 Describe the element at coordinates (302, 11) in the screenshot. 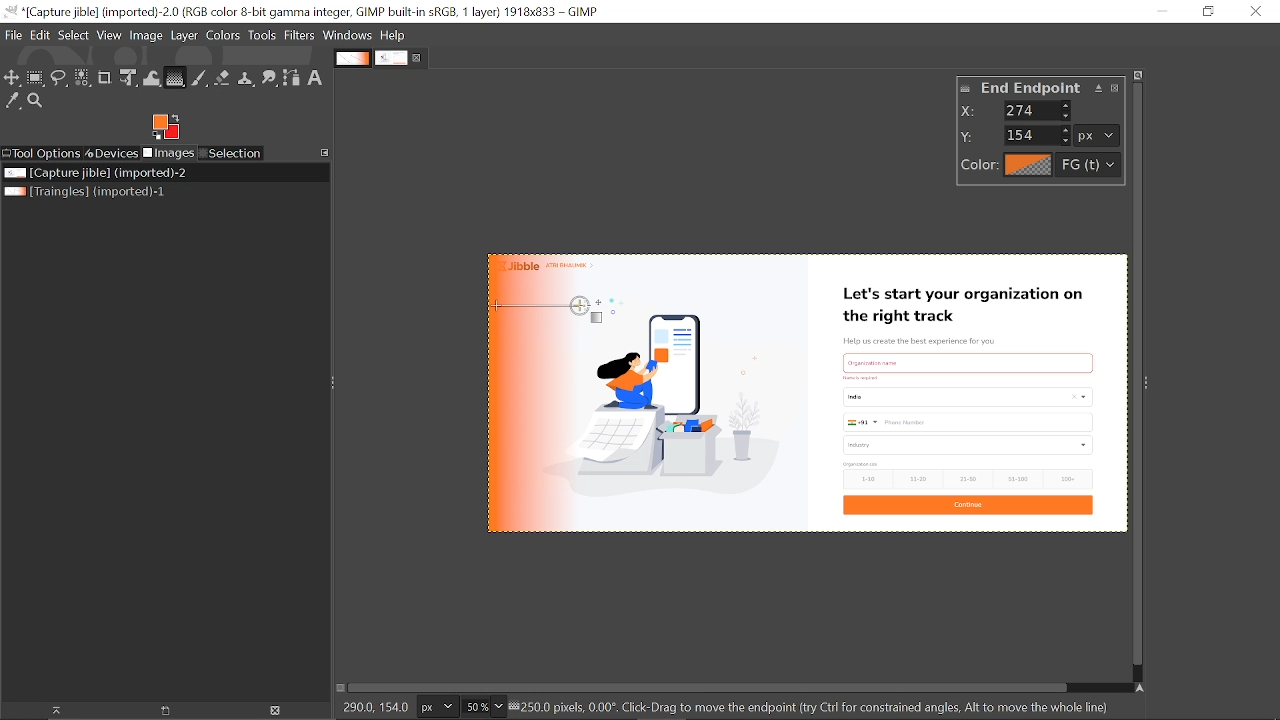

I see `Current window` at that location.